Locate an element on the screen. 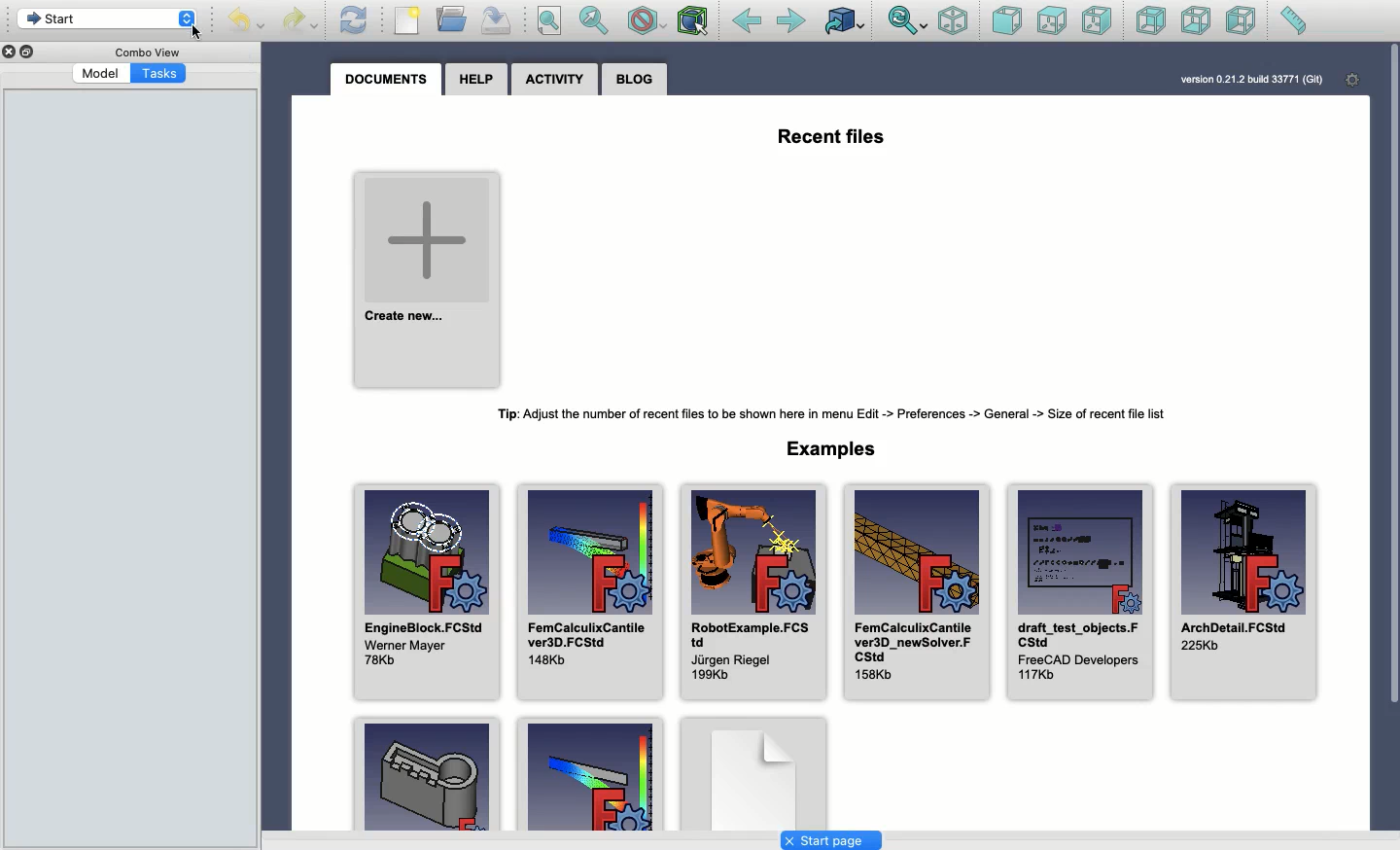  Duplicate is located at coordinates (30, 53).